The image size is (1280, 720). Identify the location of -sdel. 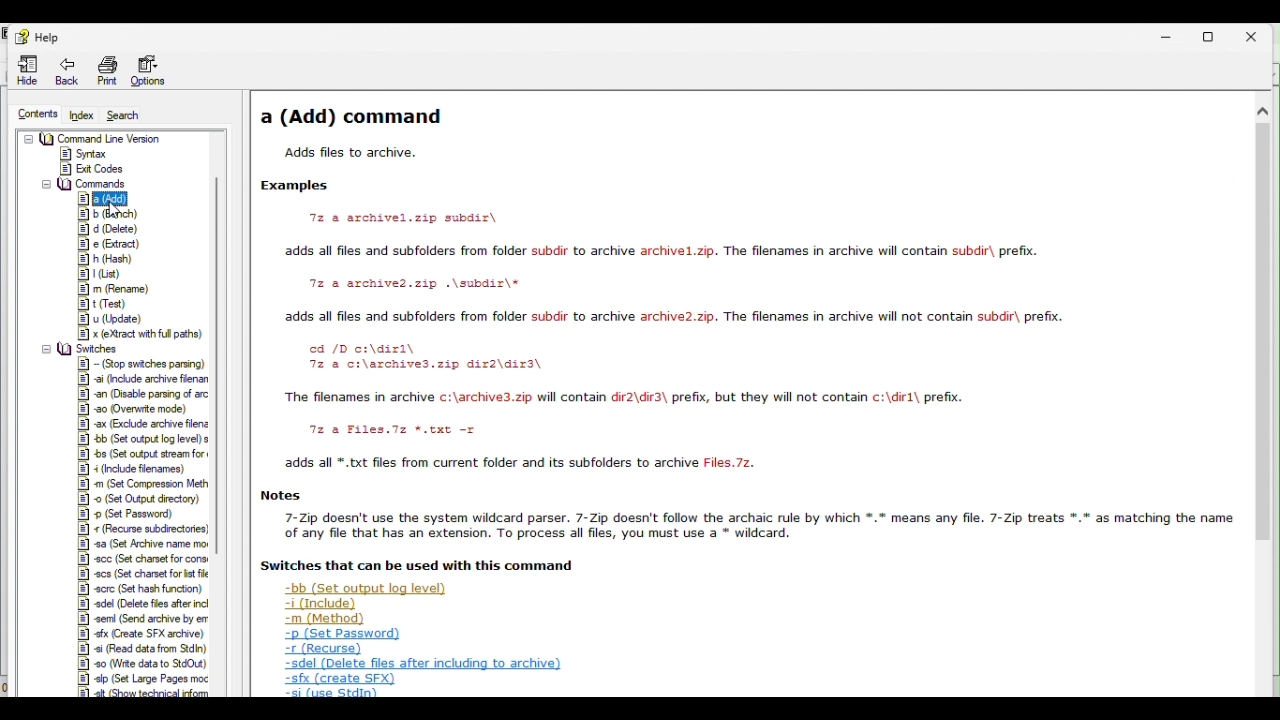
(145, 604).